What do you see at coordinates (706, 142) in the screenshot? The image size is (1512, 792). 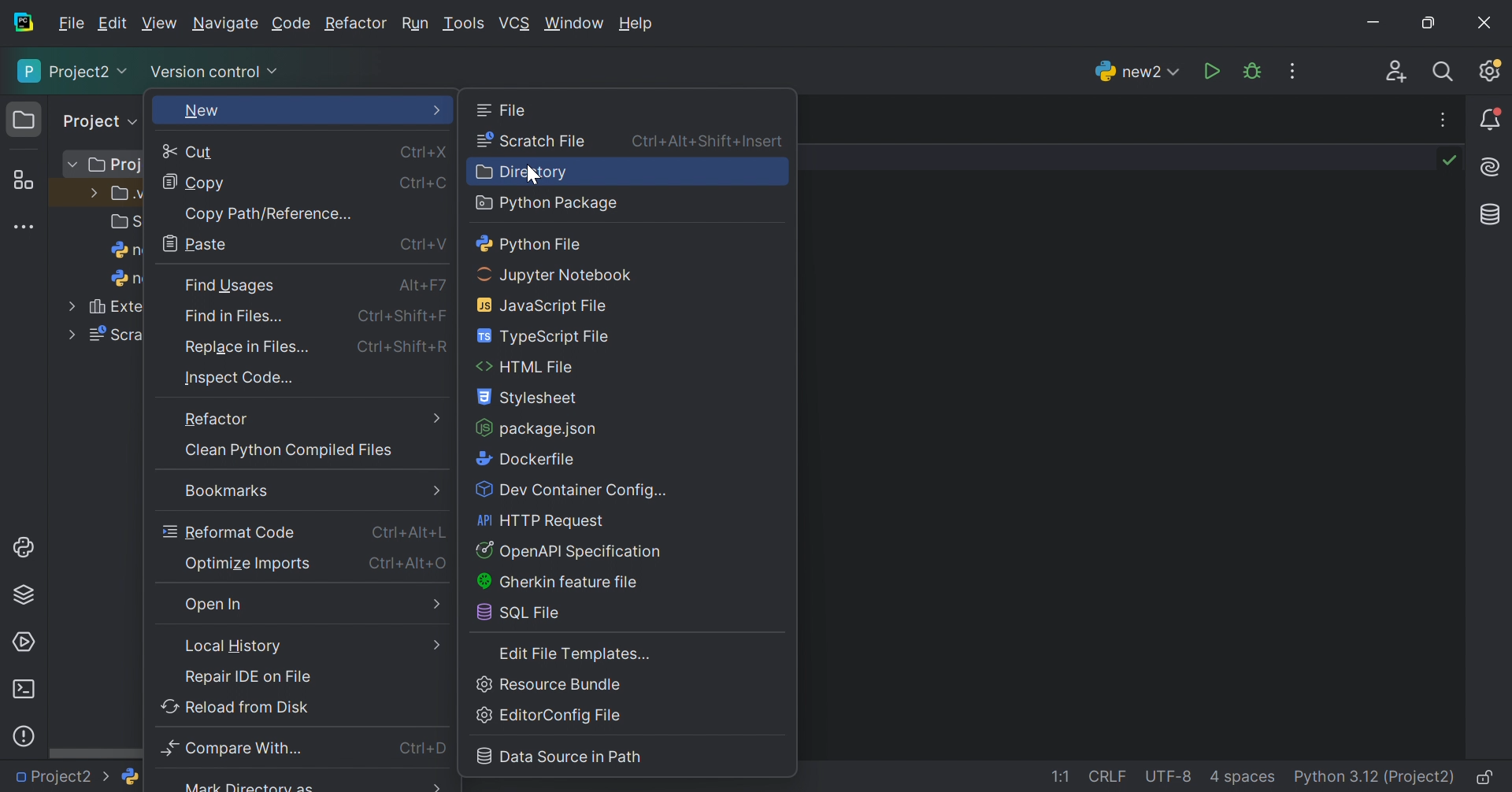 I see `Ctrl+Alt+Shift+Insert` at bounding box center [706, 142].